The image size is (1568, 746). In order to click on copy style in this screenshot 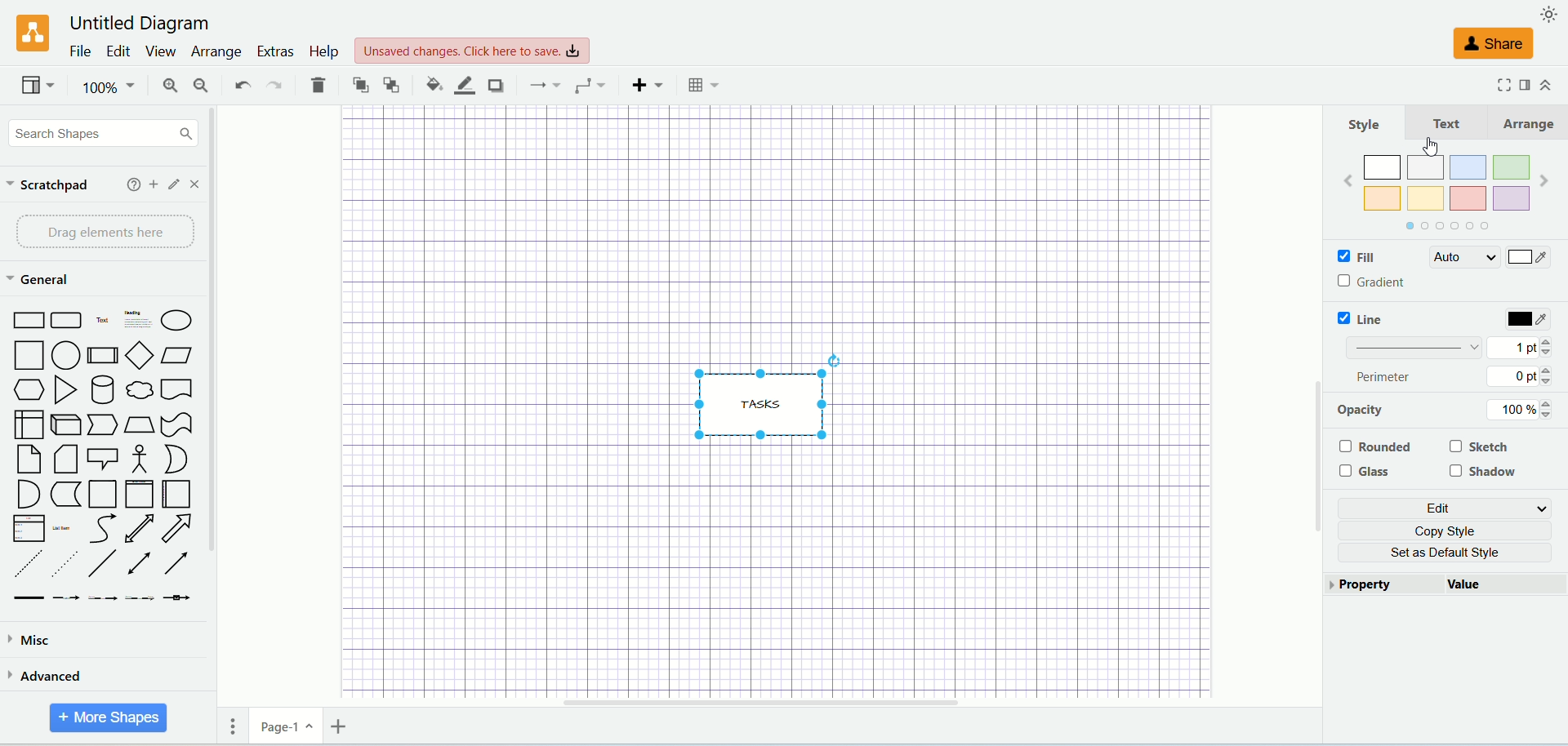, I will do `click(1447, 530)`.